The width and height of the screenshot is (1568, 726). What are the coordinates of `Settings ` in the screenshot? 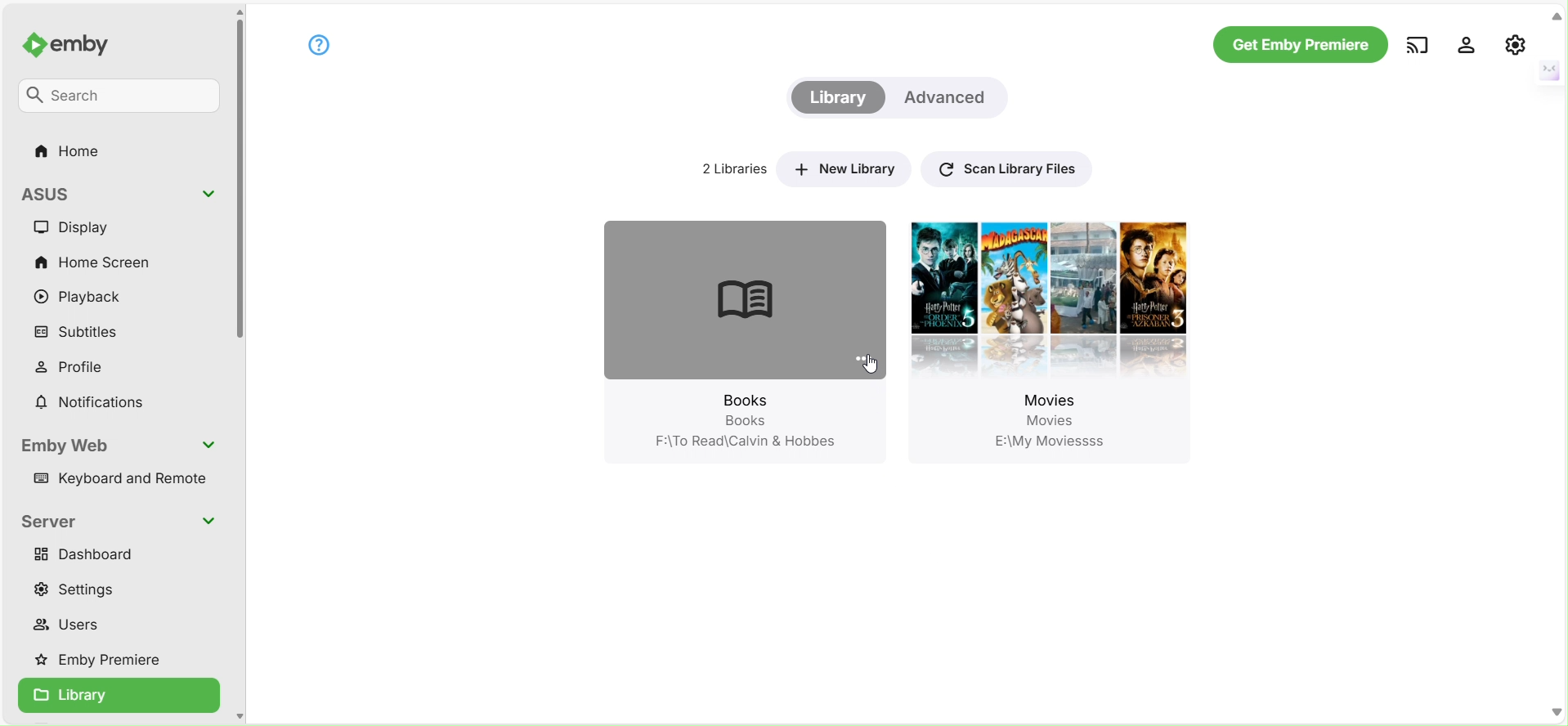 It's located at (1467, 43).